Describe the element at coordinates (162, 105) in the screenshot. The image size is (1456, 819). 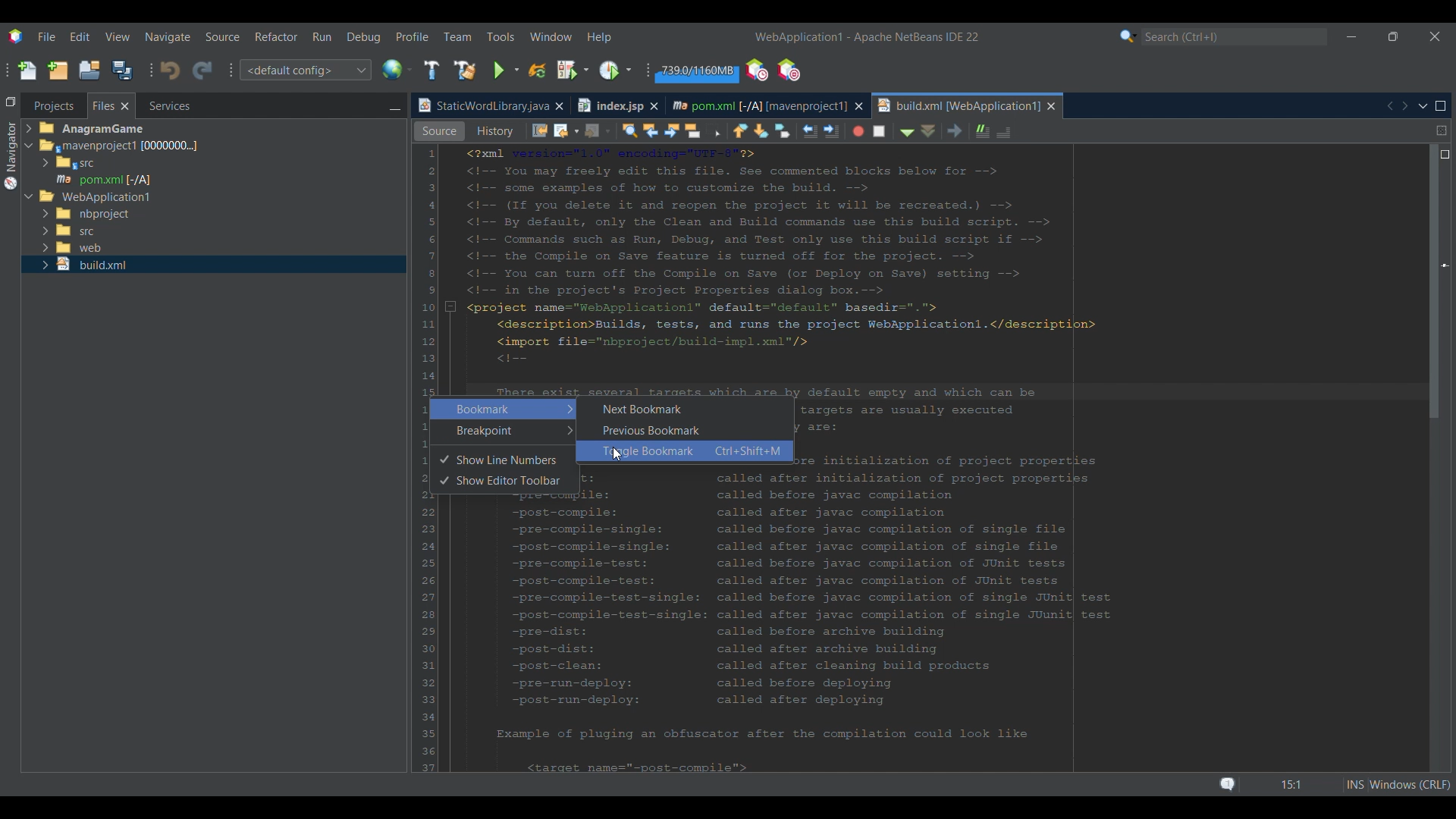
I see `Services, current tab highlighted` at that location.